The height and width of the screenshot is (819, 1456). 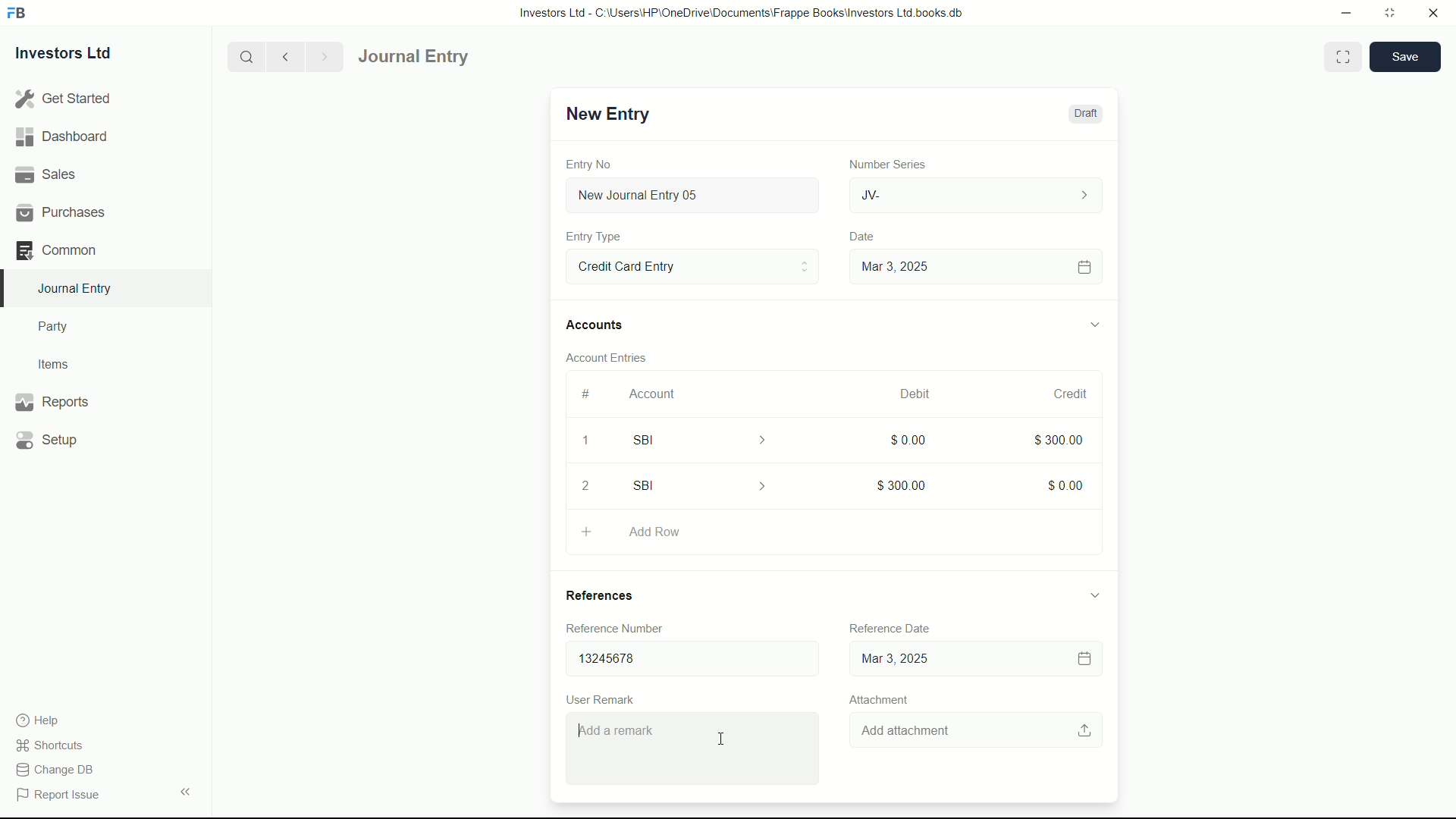 What do you see at coordinates (591, 485) in the screenshot?
I see `2` at bounding box center [591, 485].